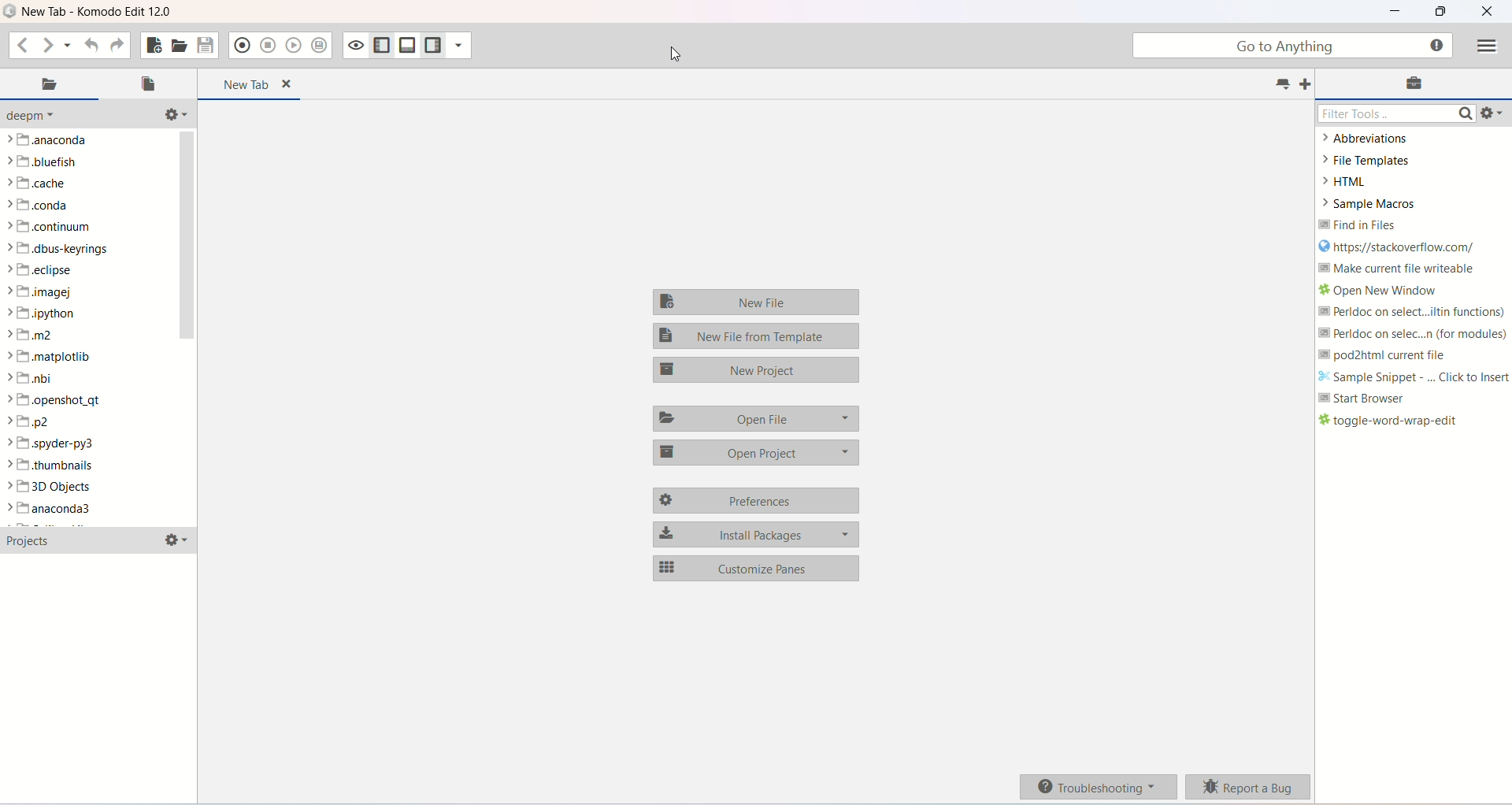  I want to click on maximize, so click(1440, 10).